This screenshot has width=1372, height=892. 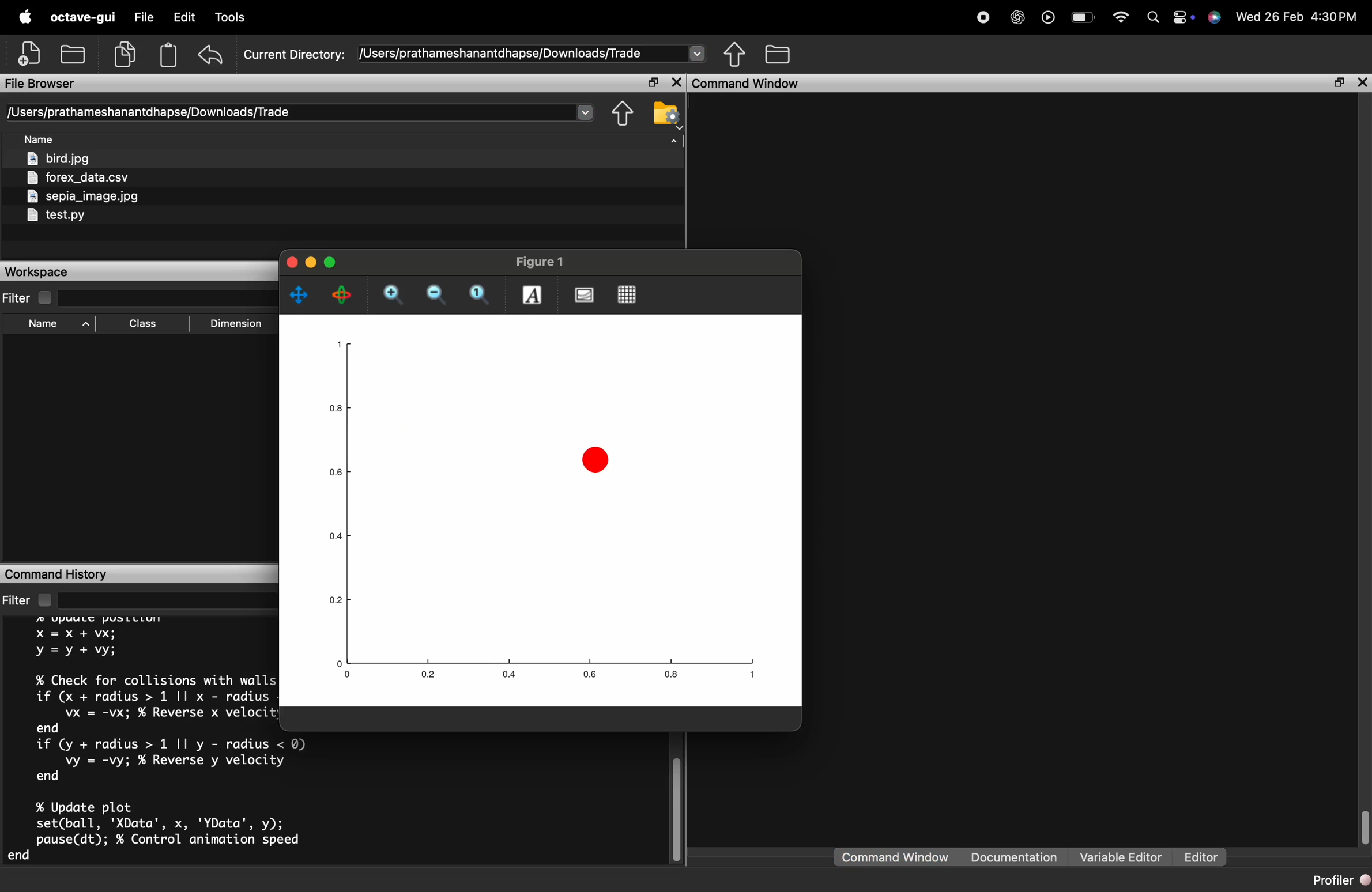 I want to click on battery, so click(x=1083, y=17).